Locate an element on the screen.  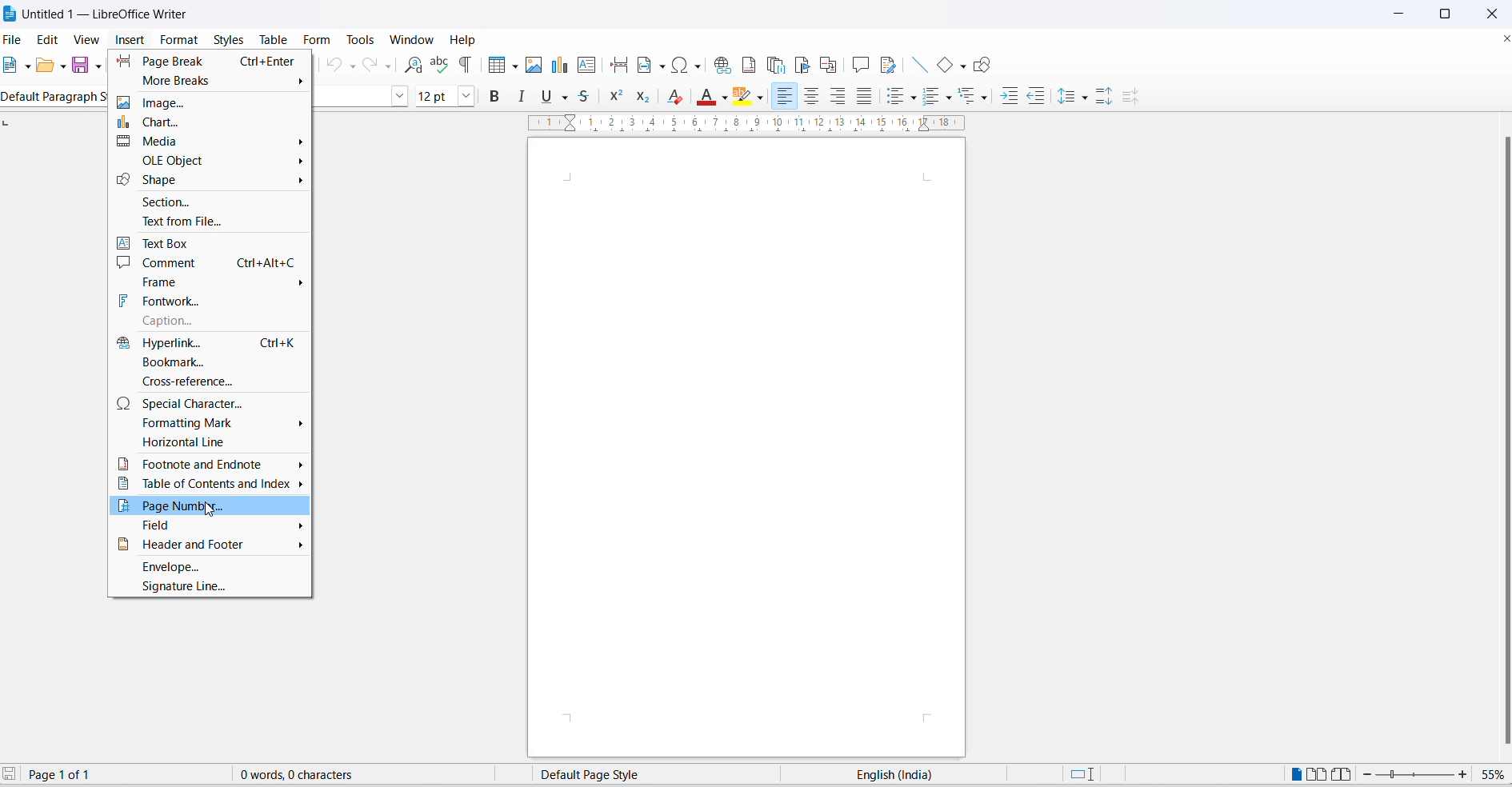
spellings is located at coordinates (440, 66).